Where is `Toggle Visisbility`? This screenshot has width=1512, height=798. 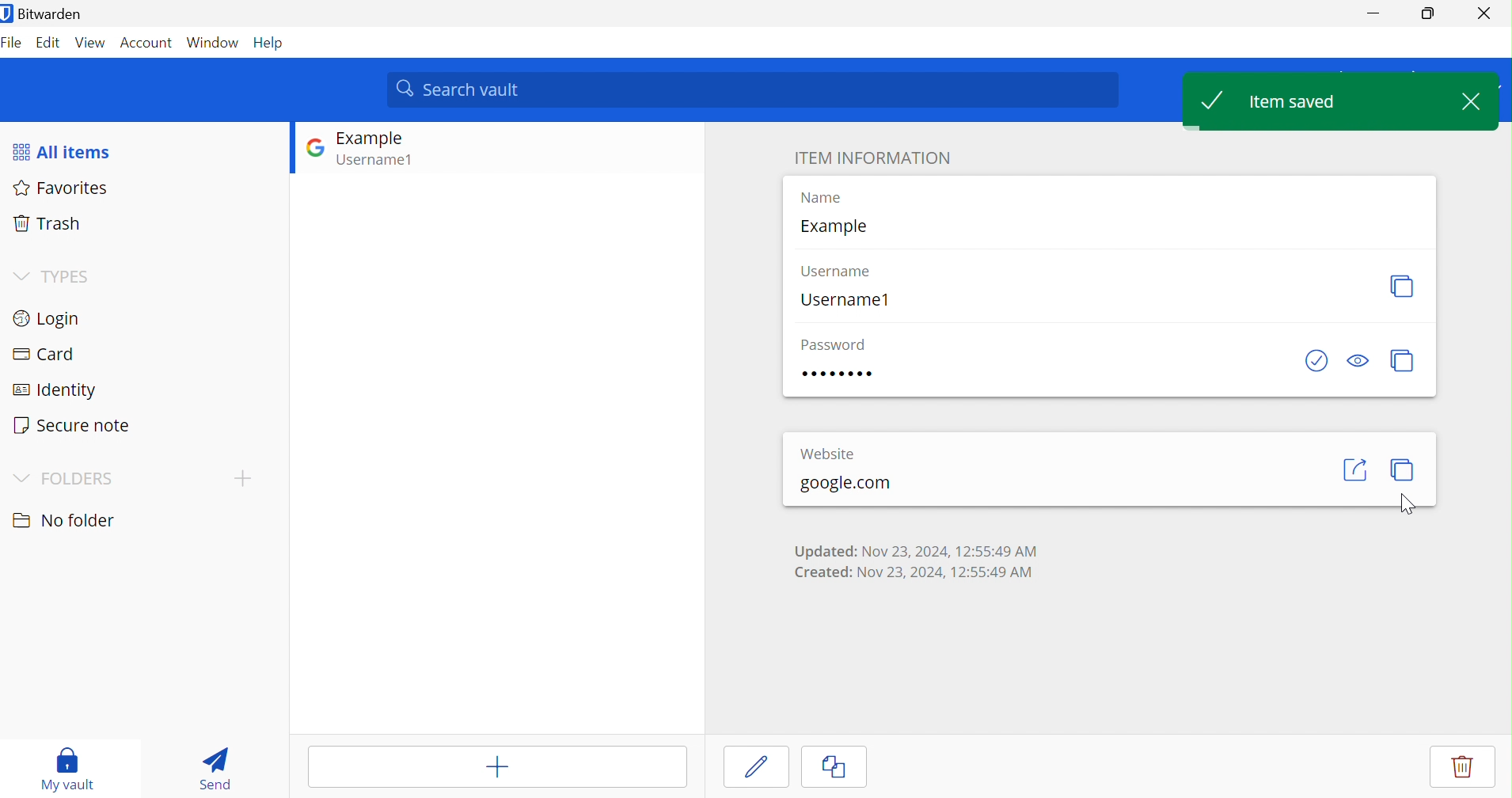 Toggle Visisbility is located at coordinates (1360, 361).